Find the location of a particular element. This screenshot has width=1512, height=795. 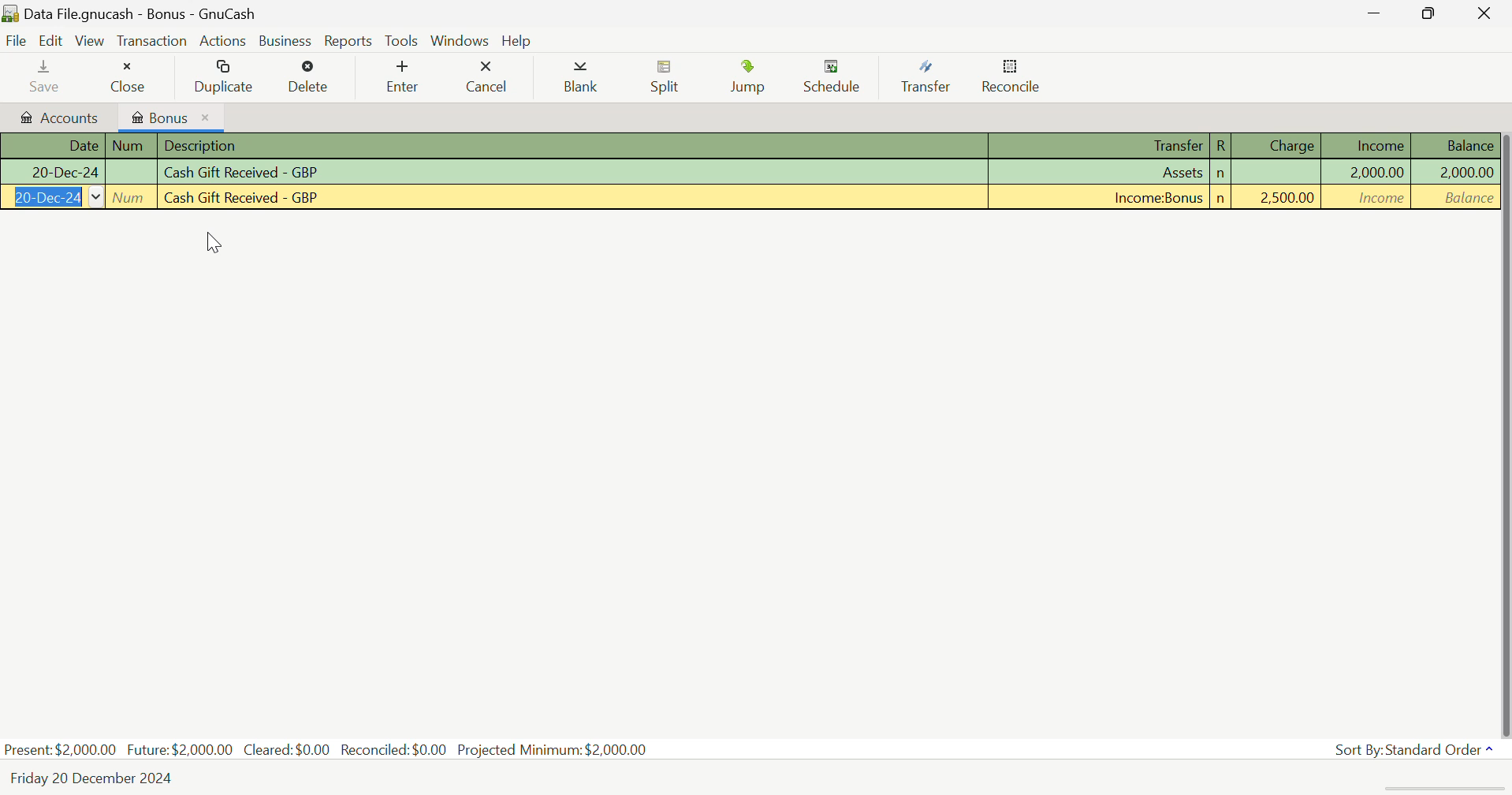

Balance is located at coordinates (1454, 145).